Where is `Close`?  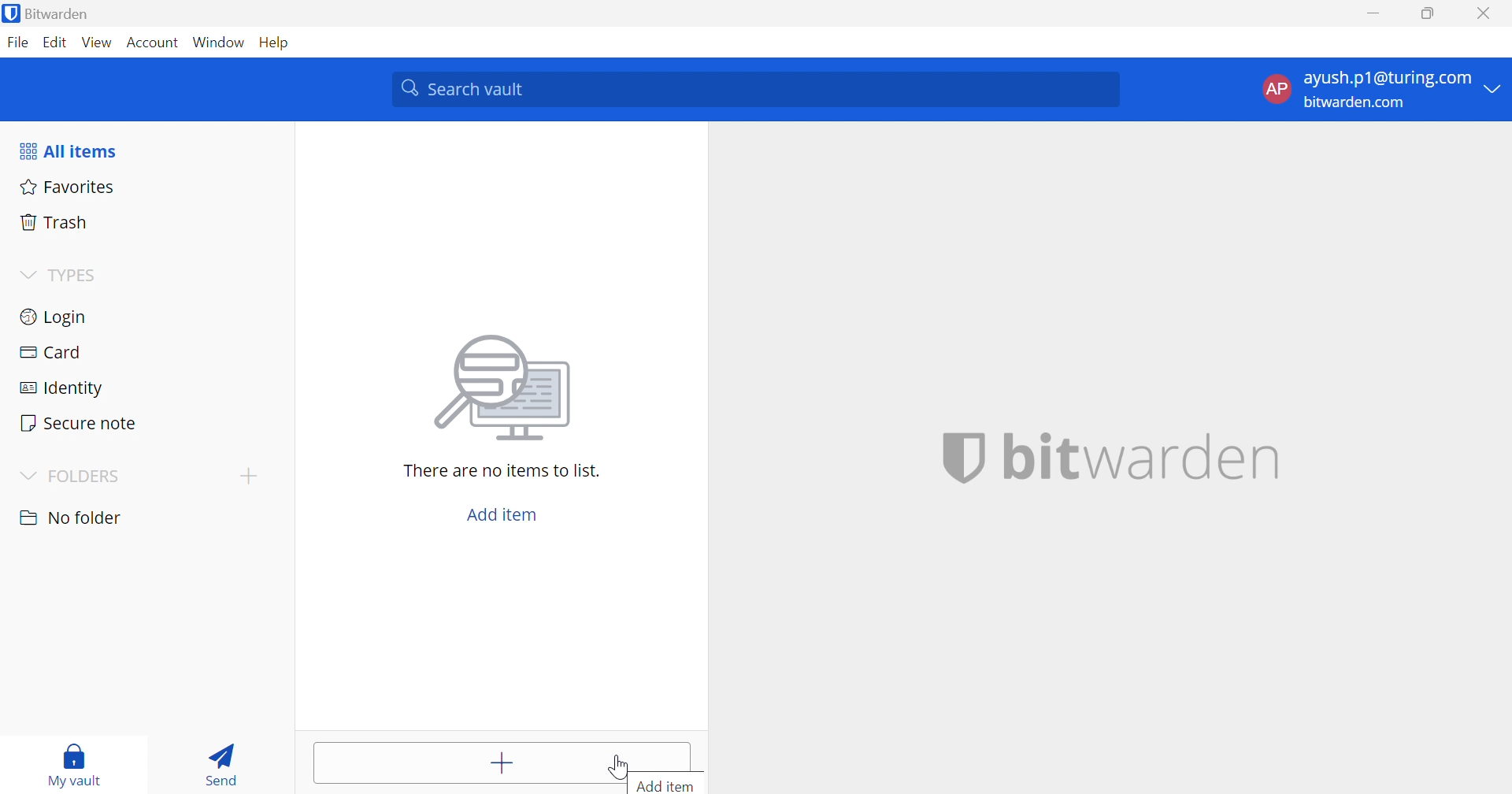
Close is located at coordinates (1487, 13).